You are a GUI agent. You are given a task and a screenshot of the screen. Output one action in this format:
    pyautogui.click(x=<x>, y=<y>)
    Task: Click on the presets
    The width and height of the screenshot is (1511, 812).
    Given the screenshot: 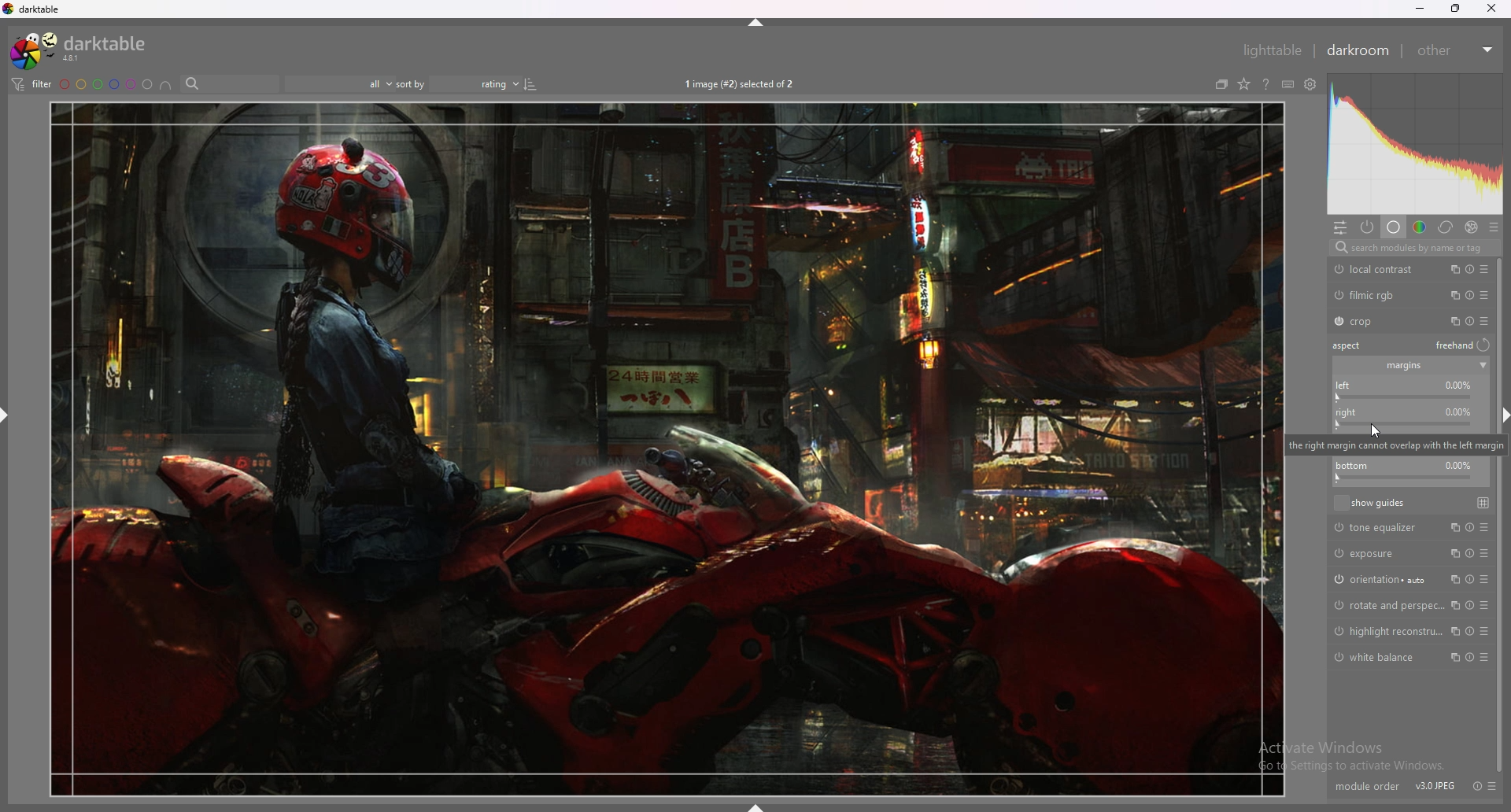 What is the action you would take?
    pyautogui.click(x=1493, y=227)
    